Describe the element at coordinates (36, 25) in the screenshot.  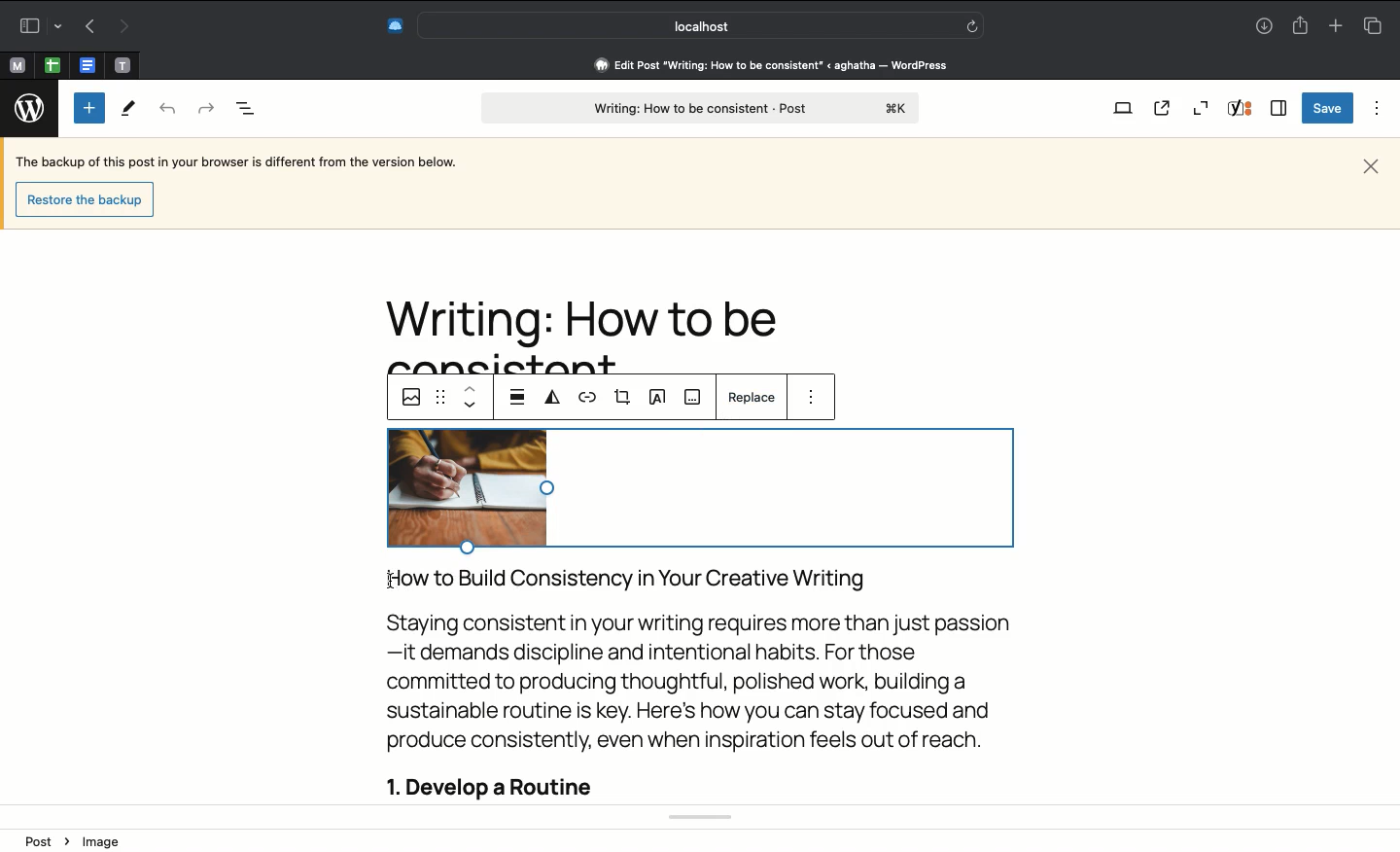
I see `Sidebar` at that location.